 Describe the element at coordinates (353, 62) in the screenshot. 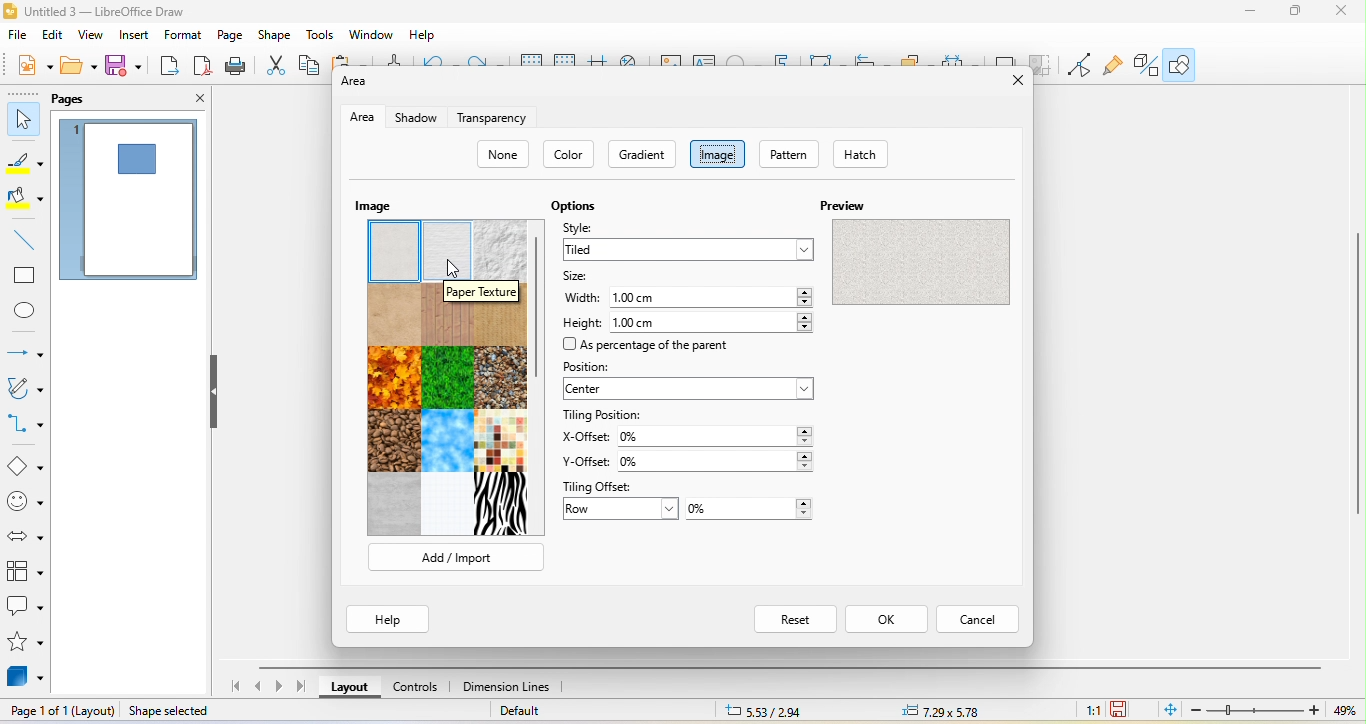

I see `paste` at that location.